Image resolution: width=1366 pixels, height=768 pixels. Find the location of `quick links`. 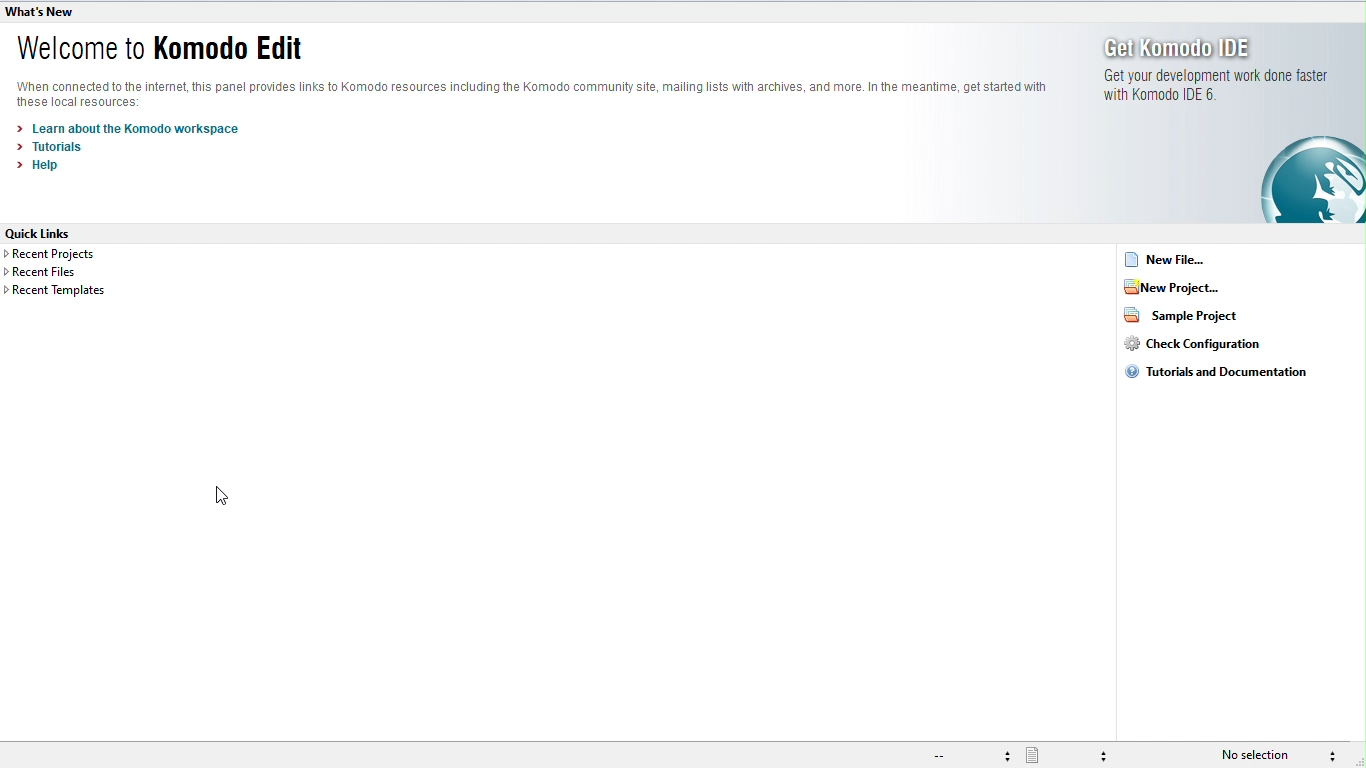

quick links is located at coordinates (42, 233).